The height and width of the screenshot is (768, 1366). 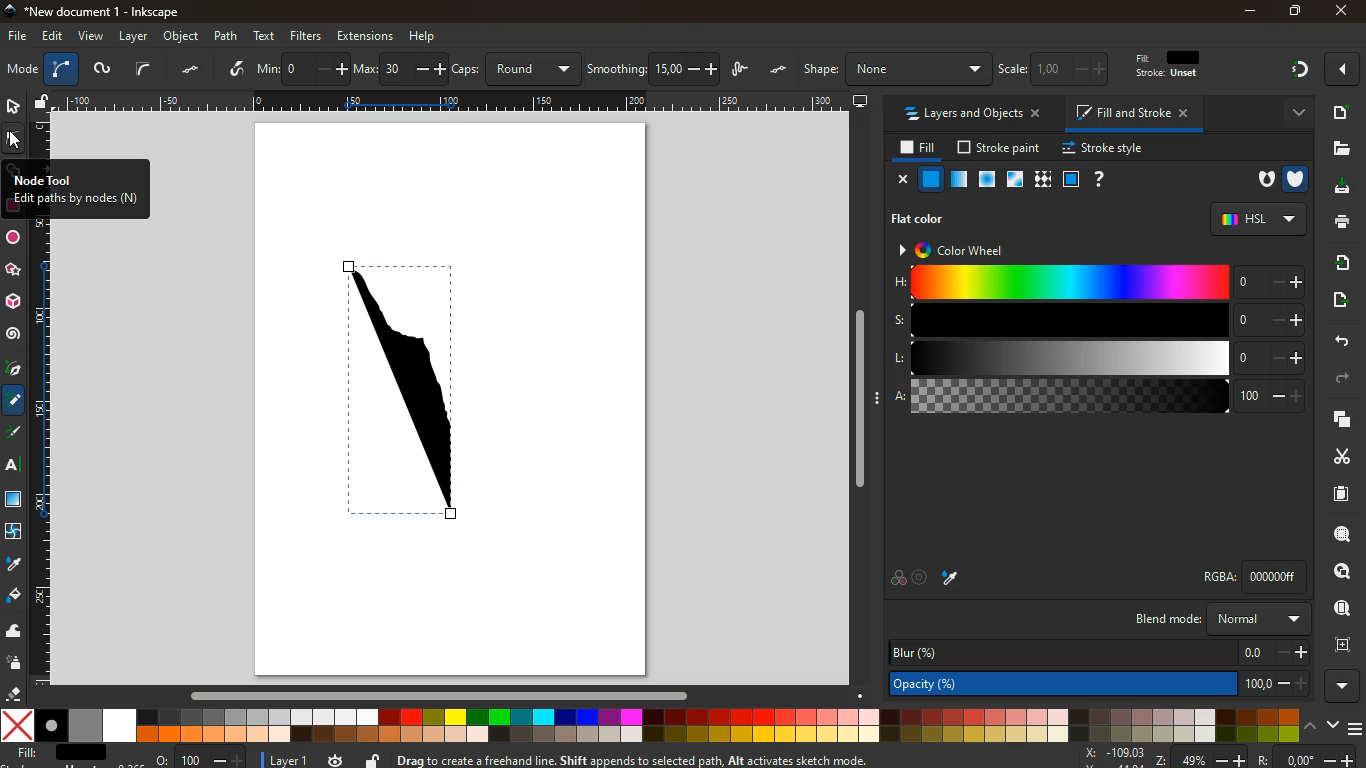 I want to click on node tool, so click(x=76, y=189).